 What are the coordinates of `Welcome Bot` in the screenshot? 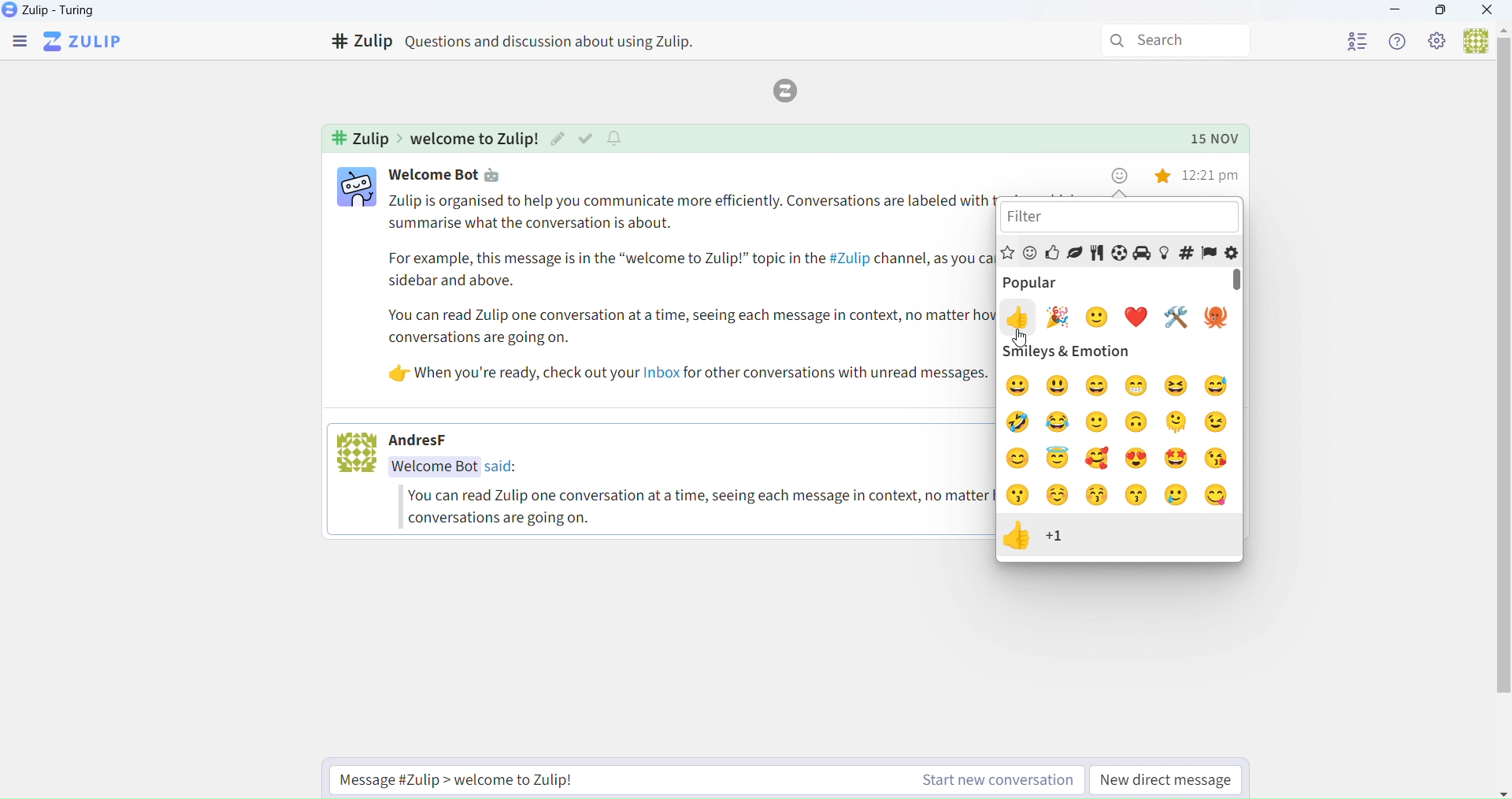 It's located at (430, 174).